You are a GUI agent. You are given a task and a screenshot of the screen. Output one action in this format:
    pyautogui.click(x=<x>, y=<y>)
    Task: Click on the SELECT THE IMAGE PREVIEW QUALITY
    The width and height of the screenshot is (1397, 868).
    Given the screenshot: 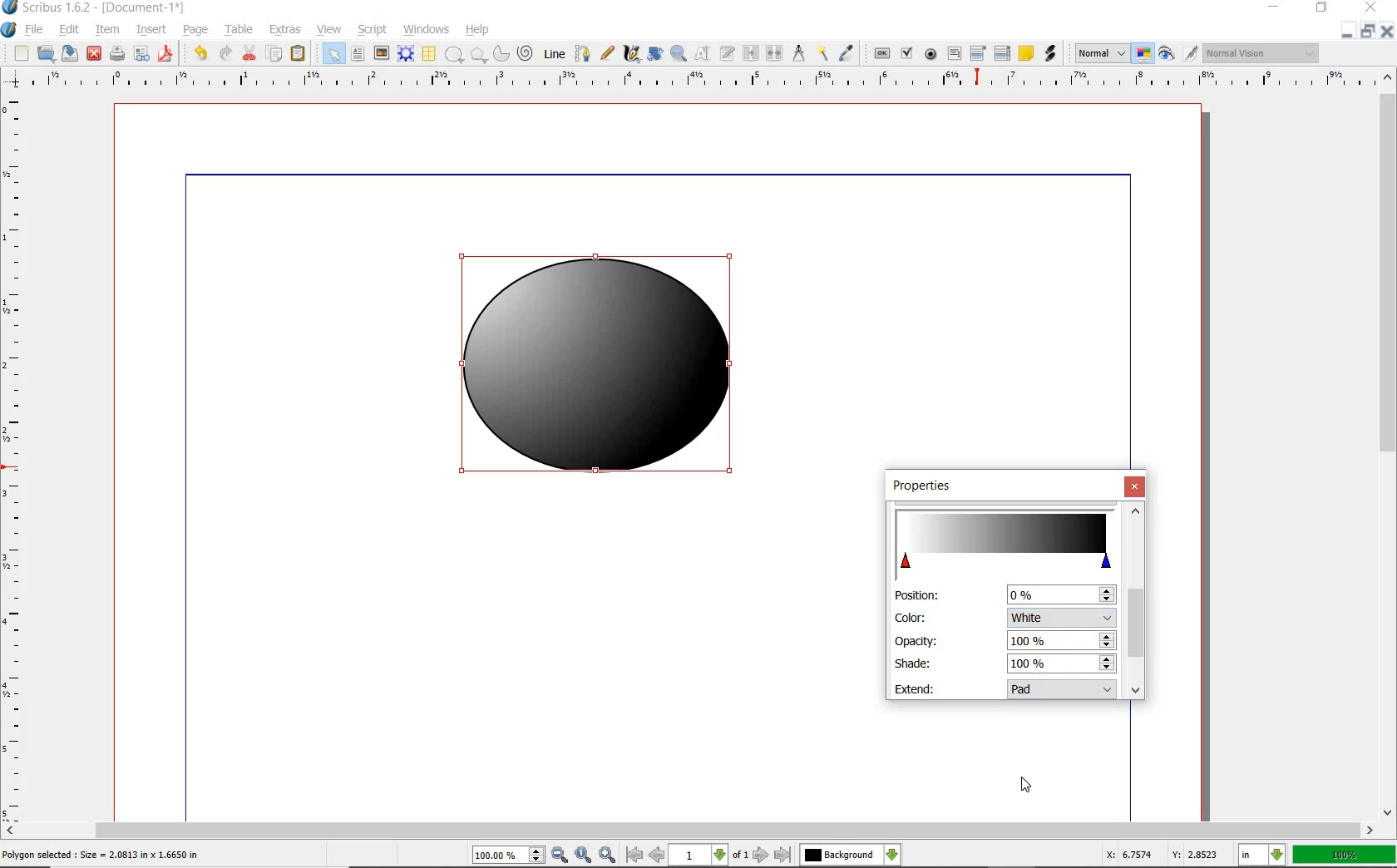 What is the action you would take?
    pyautogui.click(x=1102, y=53)
    